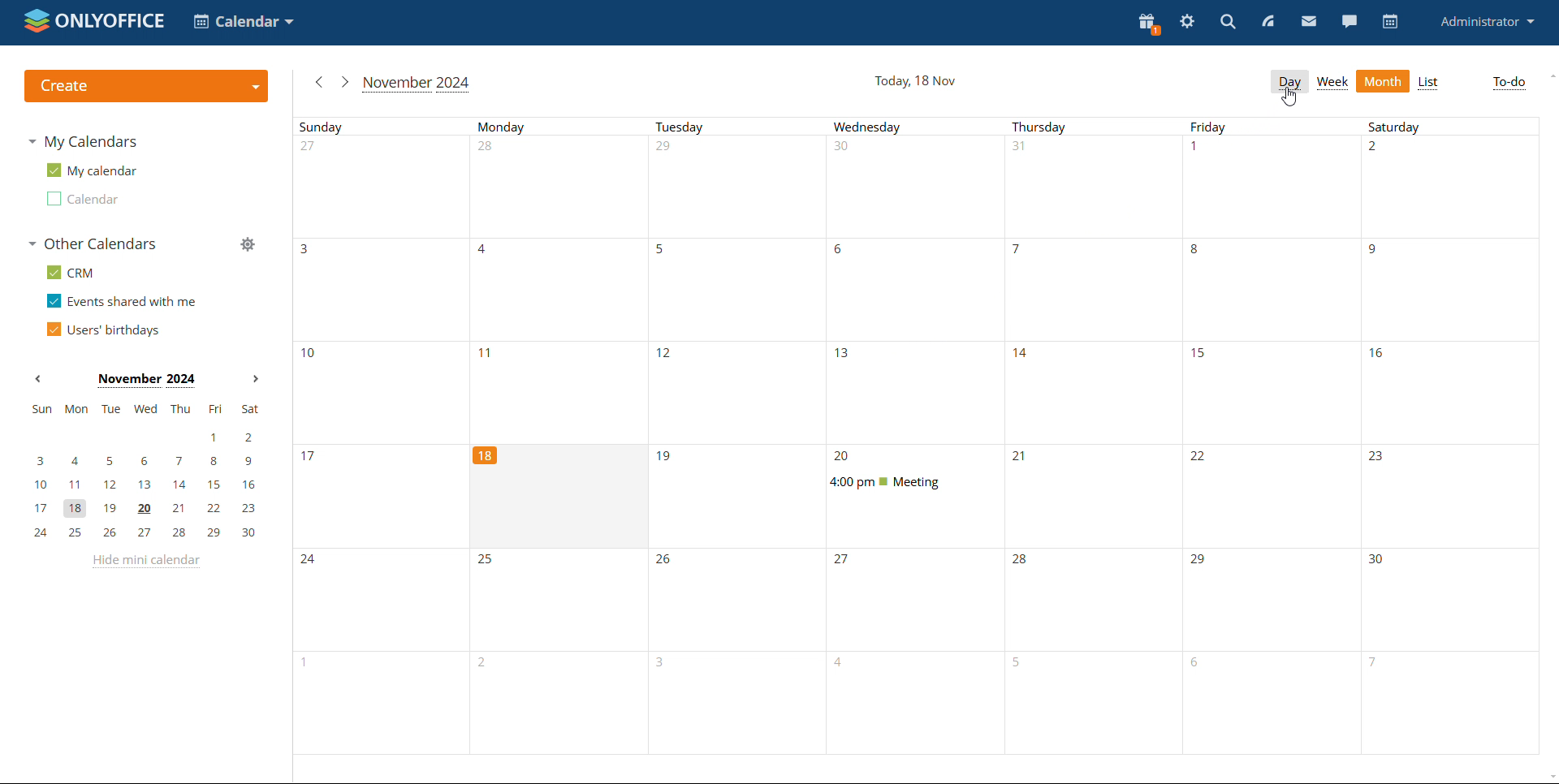 The width and height of the screenshot is (1559, 784). I want to click on scroll down, so click(1549, 777).